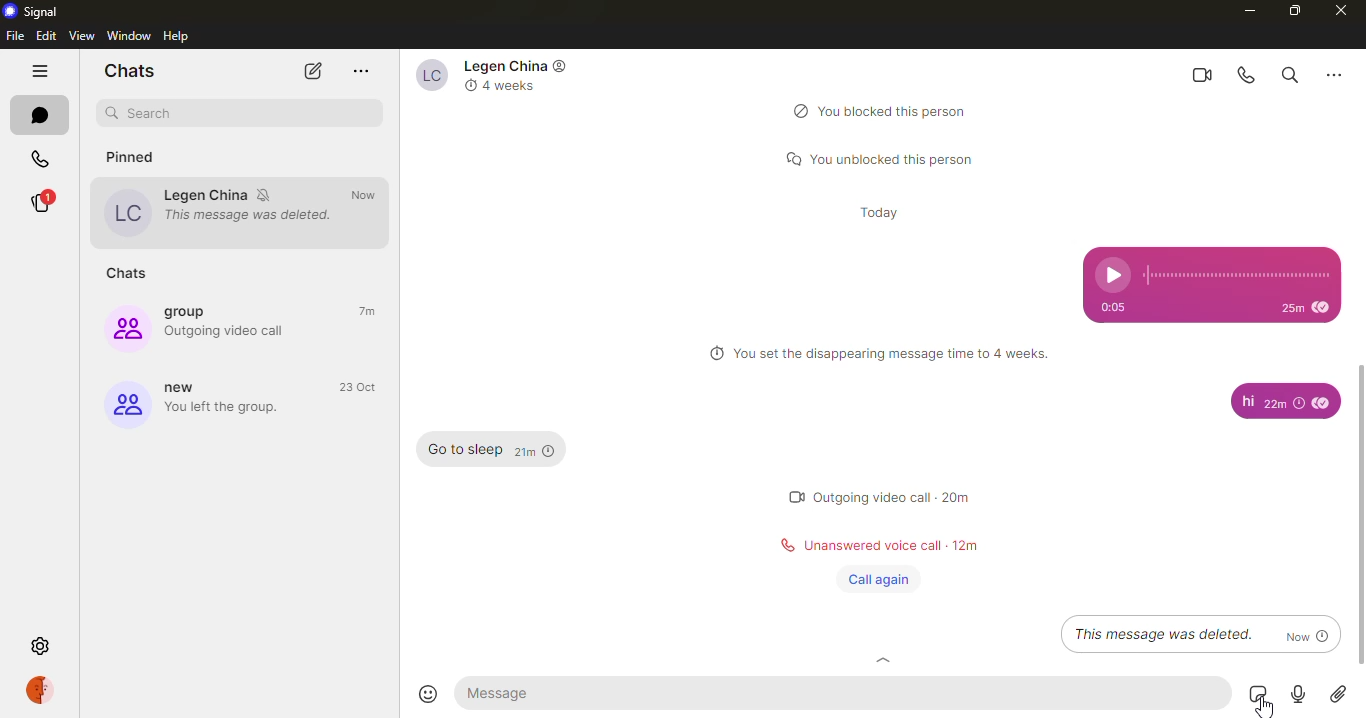 The width and height of the screenshot is (1366, 718). Describe the element at coordinates (125, 213) in the screenshot. I see `Legen china profile` at that location.